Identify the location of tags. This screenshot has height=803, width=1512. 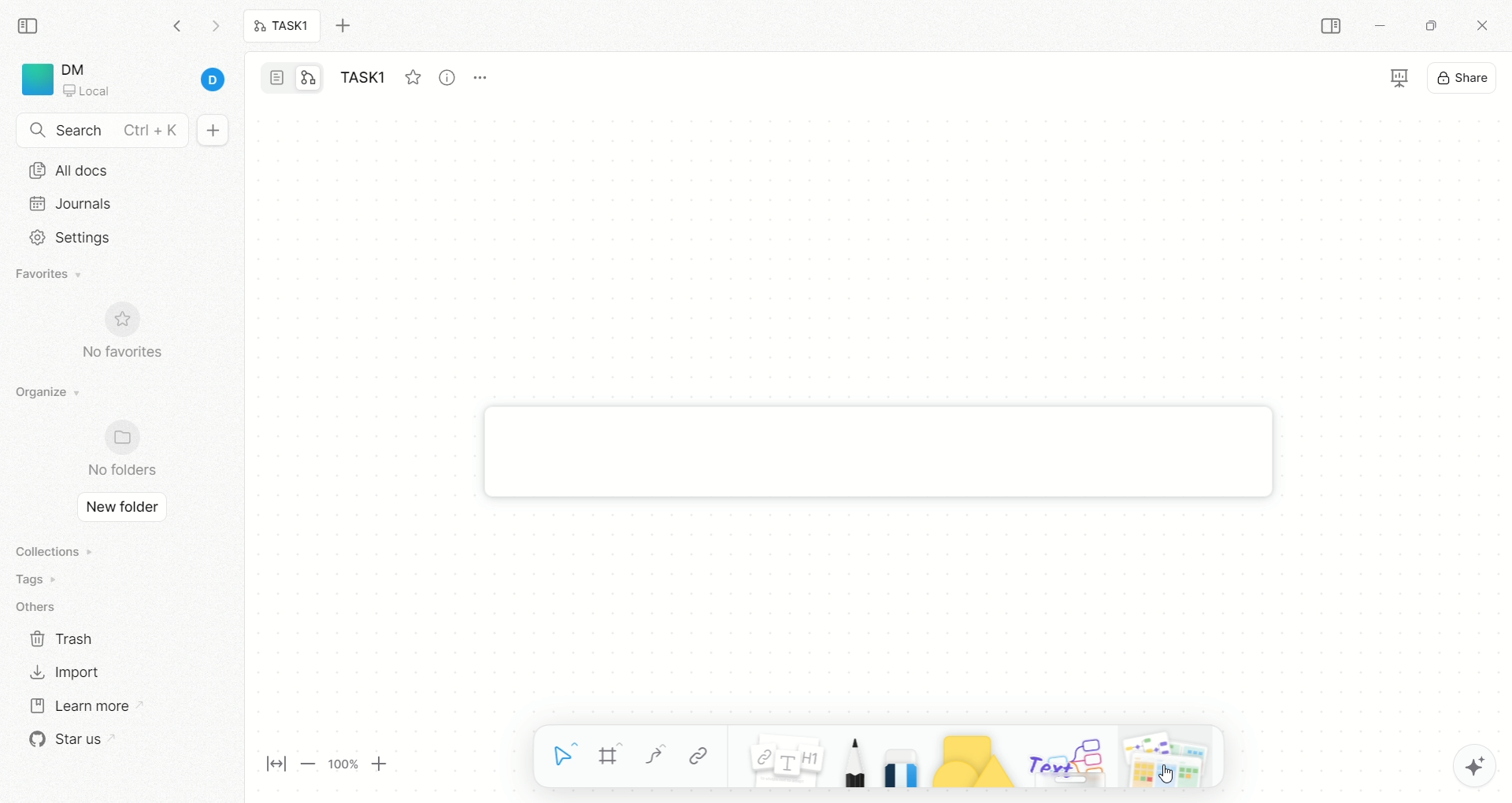
(31, 579).